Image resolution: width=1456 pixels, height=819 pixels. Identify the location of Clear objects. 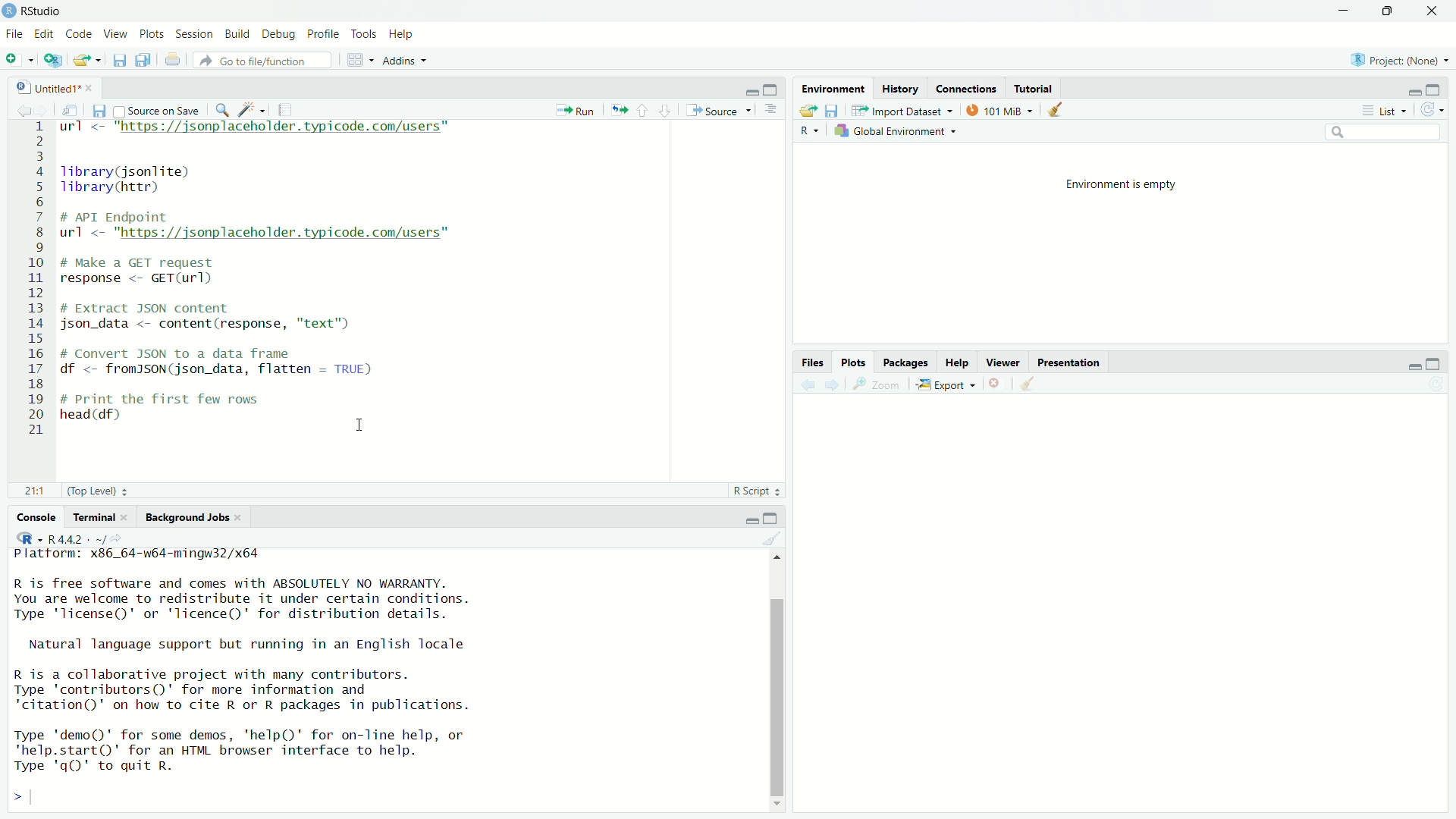
(1059, 110).